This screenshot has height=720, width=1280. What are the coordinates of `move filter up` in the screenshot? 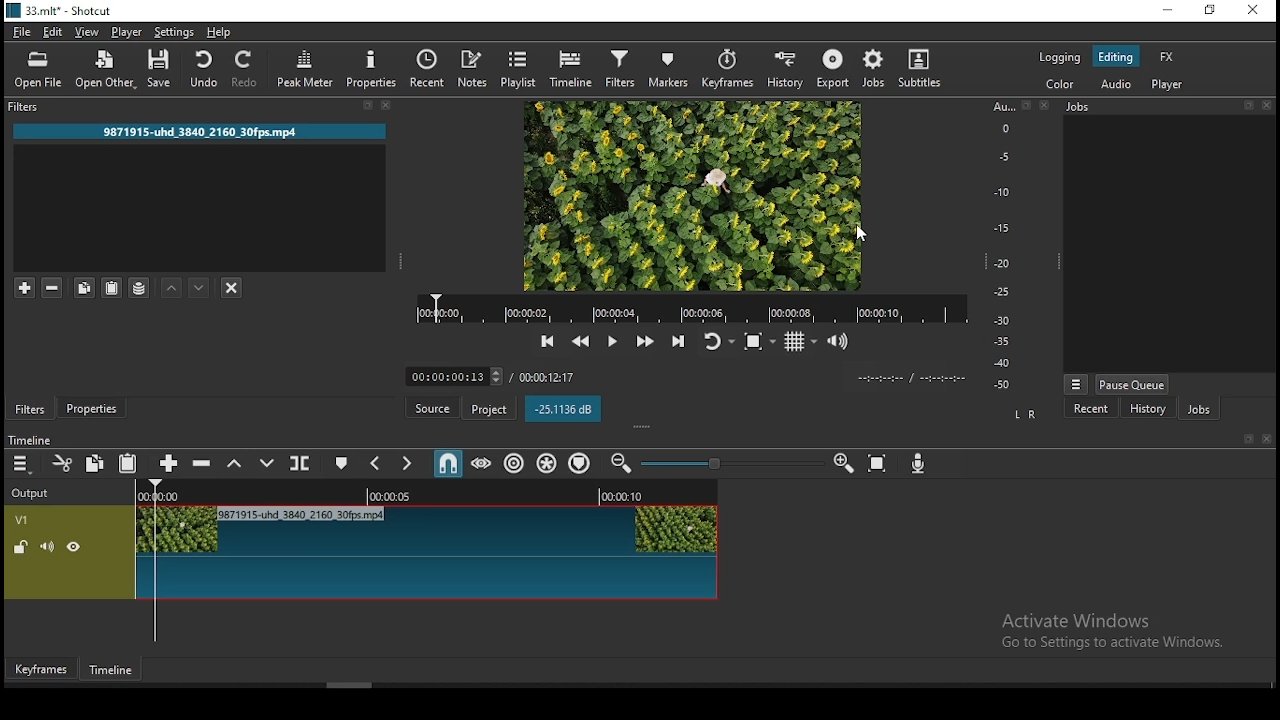 It's located at (173, 288).